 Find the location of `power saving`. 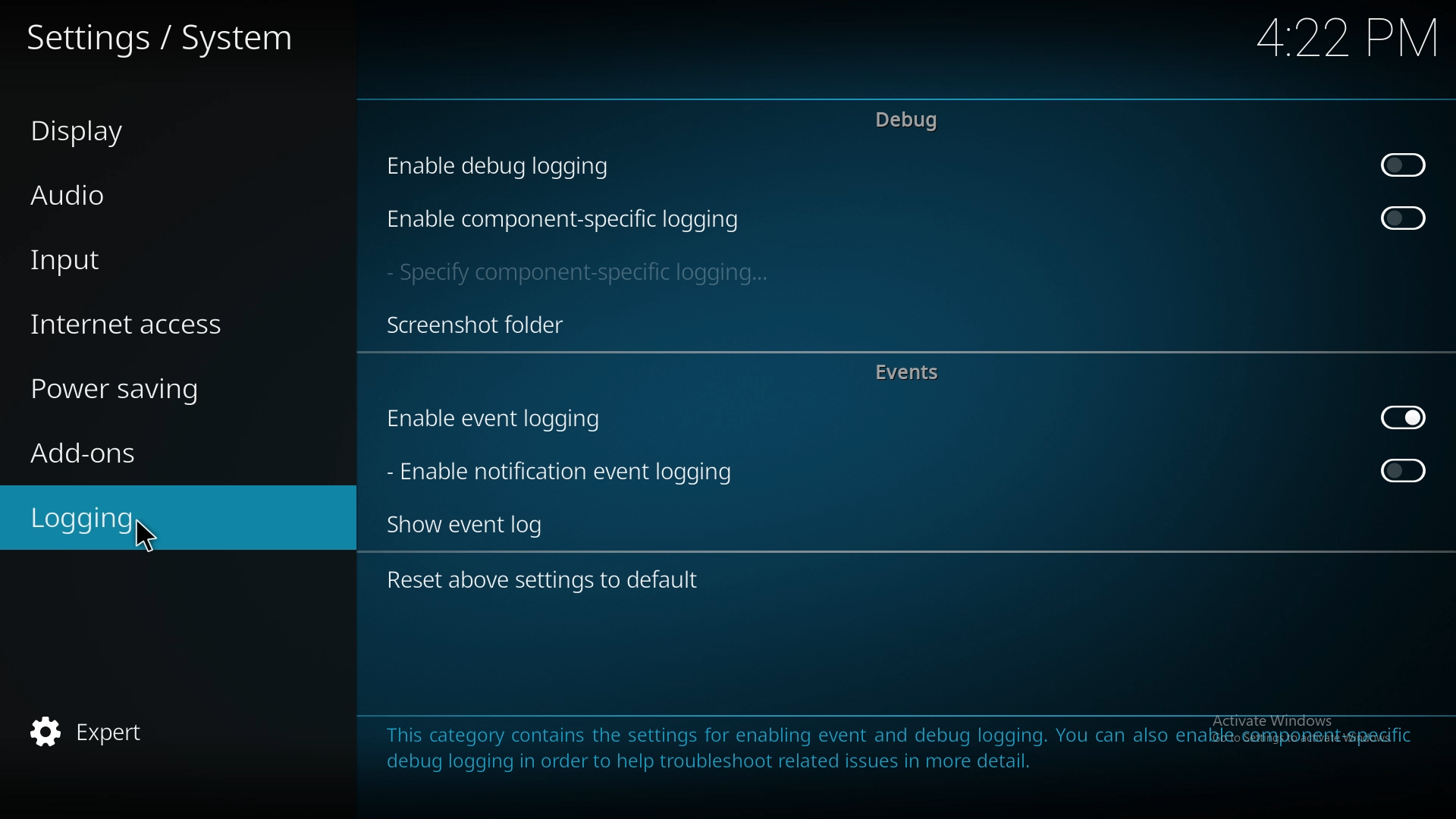

power saving is located at coordinates (170, 391).